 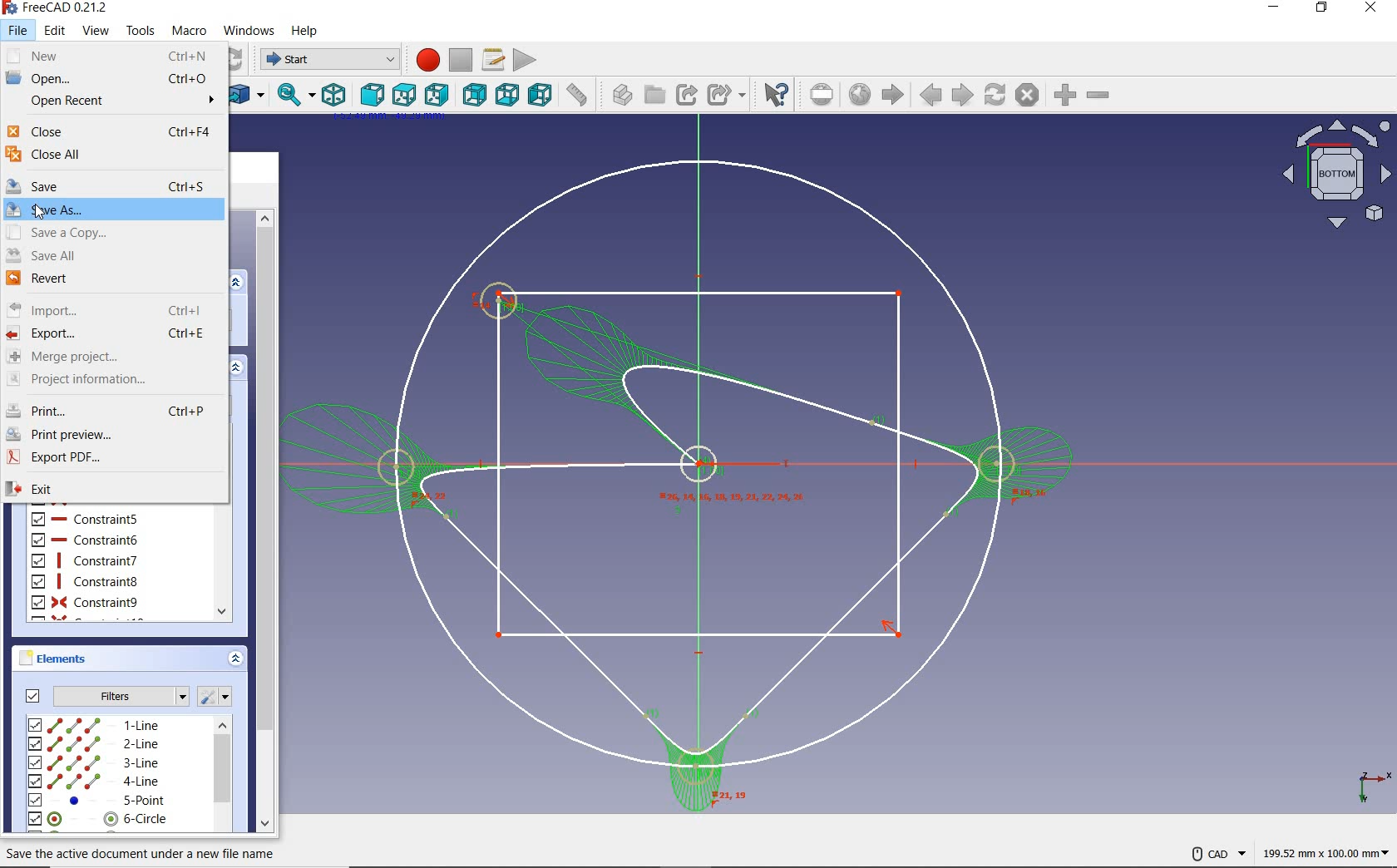 What do you see at coordinates (525, 59) in the screenshot?
I see `execute macro` at bounding box center [525, 59].